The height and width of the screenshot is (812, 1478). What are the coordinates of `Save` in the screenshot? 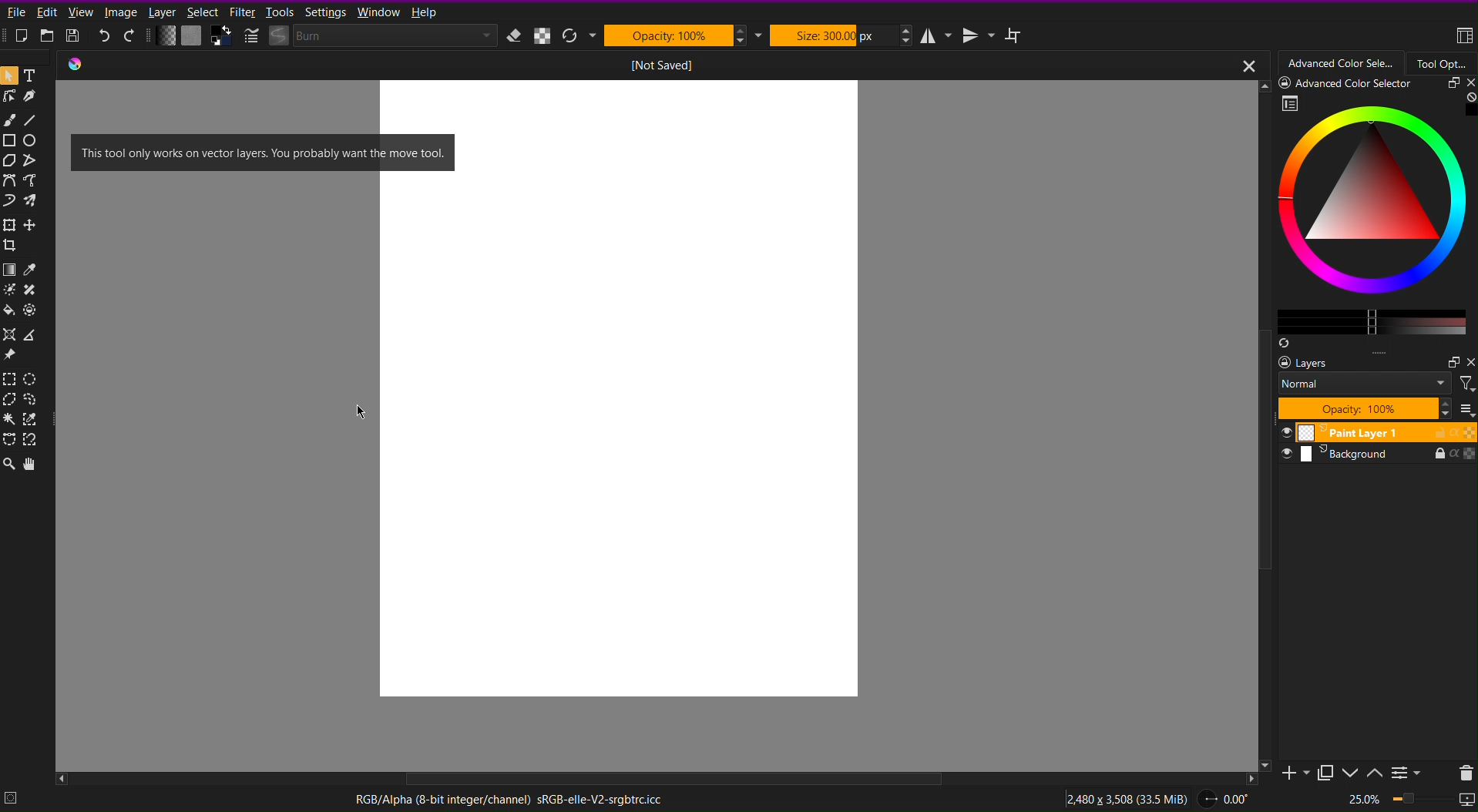 It's located at (76, 36).